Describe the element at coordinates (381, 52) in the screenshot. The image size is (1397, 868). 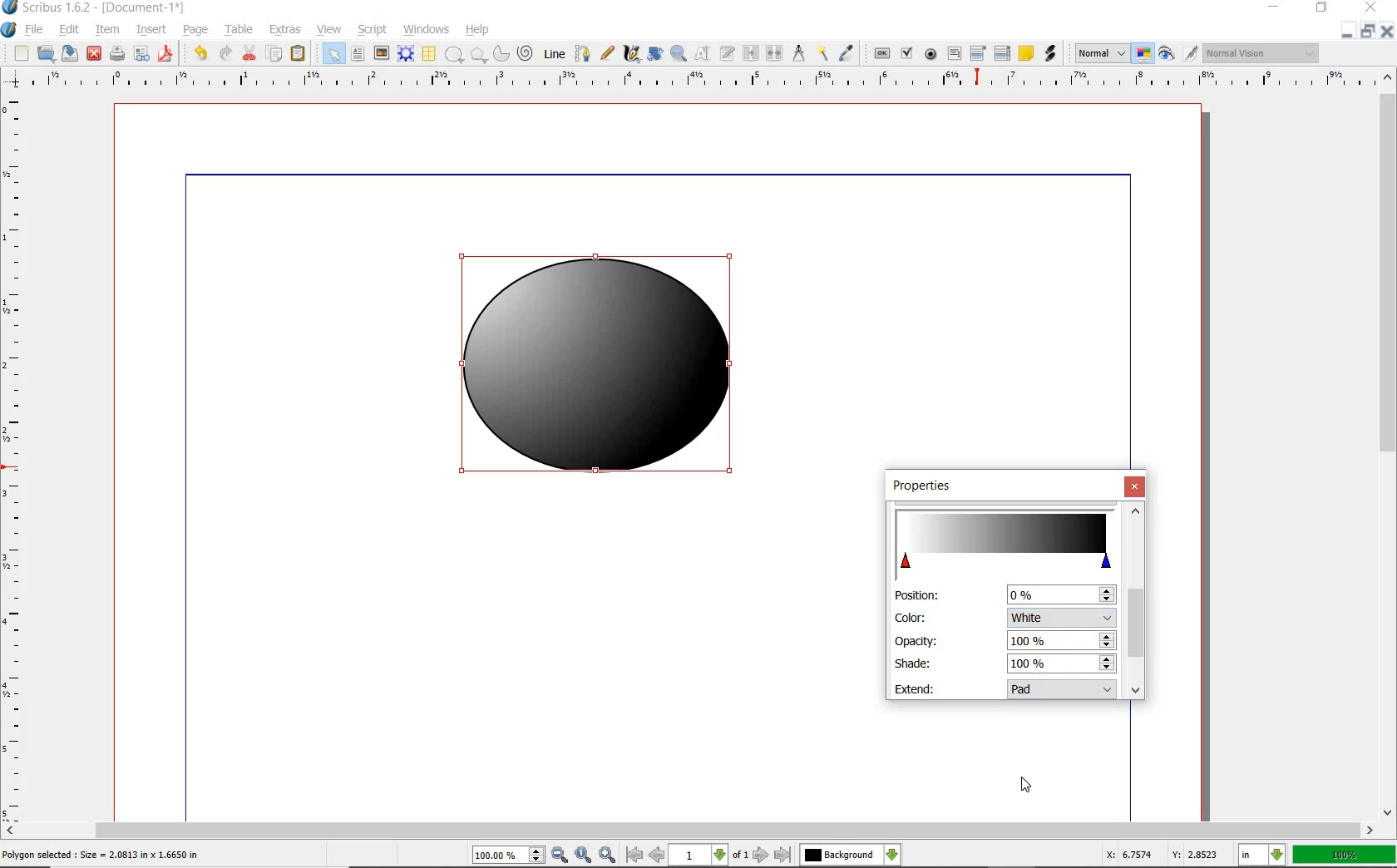
I see `IMAGE` at that location.